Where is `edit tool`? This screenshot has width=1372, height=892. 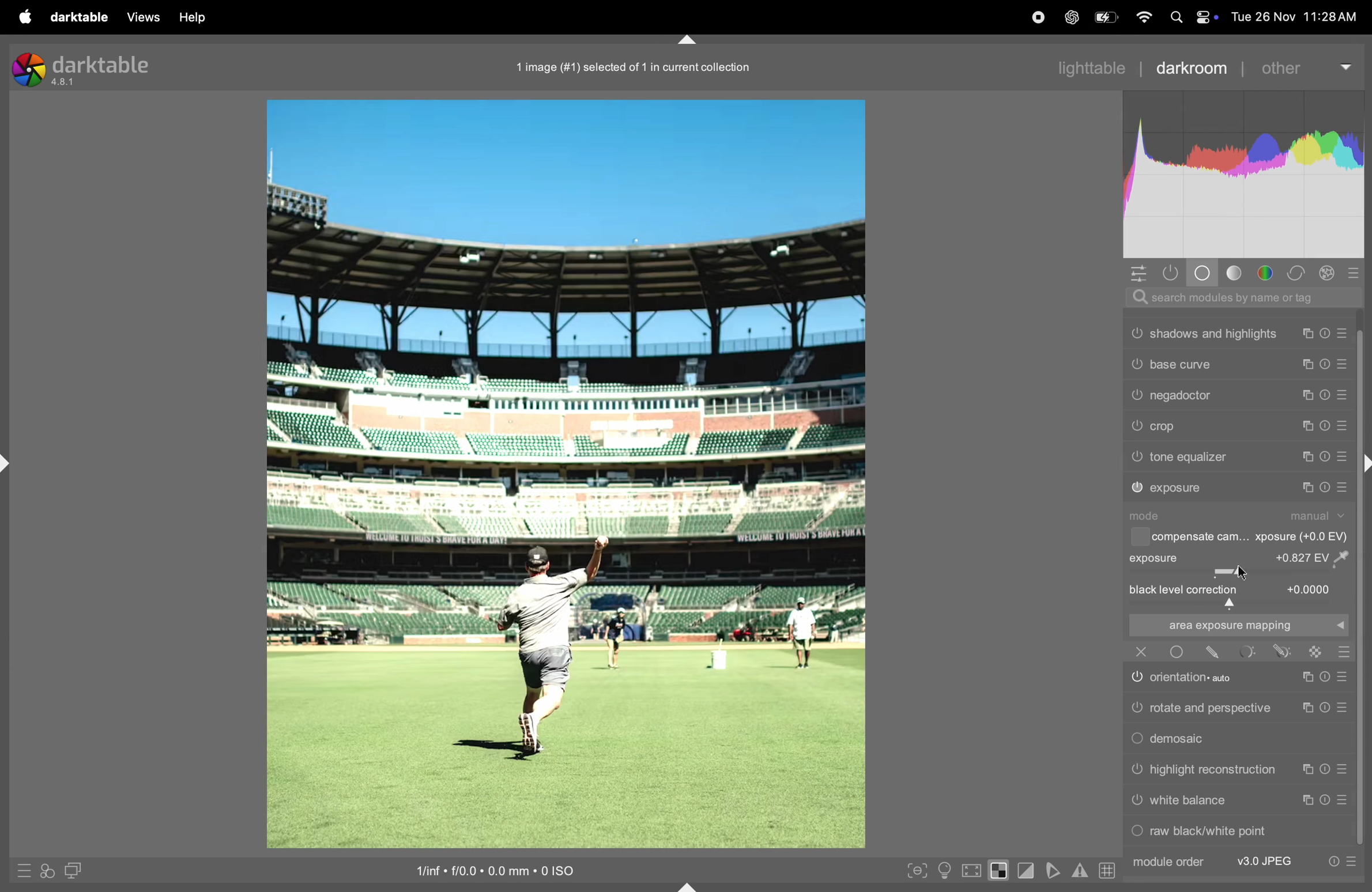
edit tool is located at coordinates (1282, 651).